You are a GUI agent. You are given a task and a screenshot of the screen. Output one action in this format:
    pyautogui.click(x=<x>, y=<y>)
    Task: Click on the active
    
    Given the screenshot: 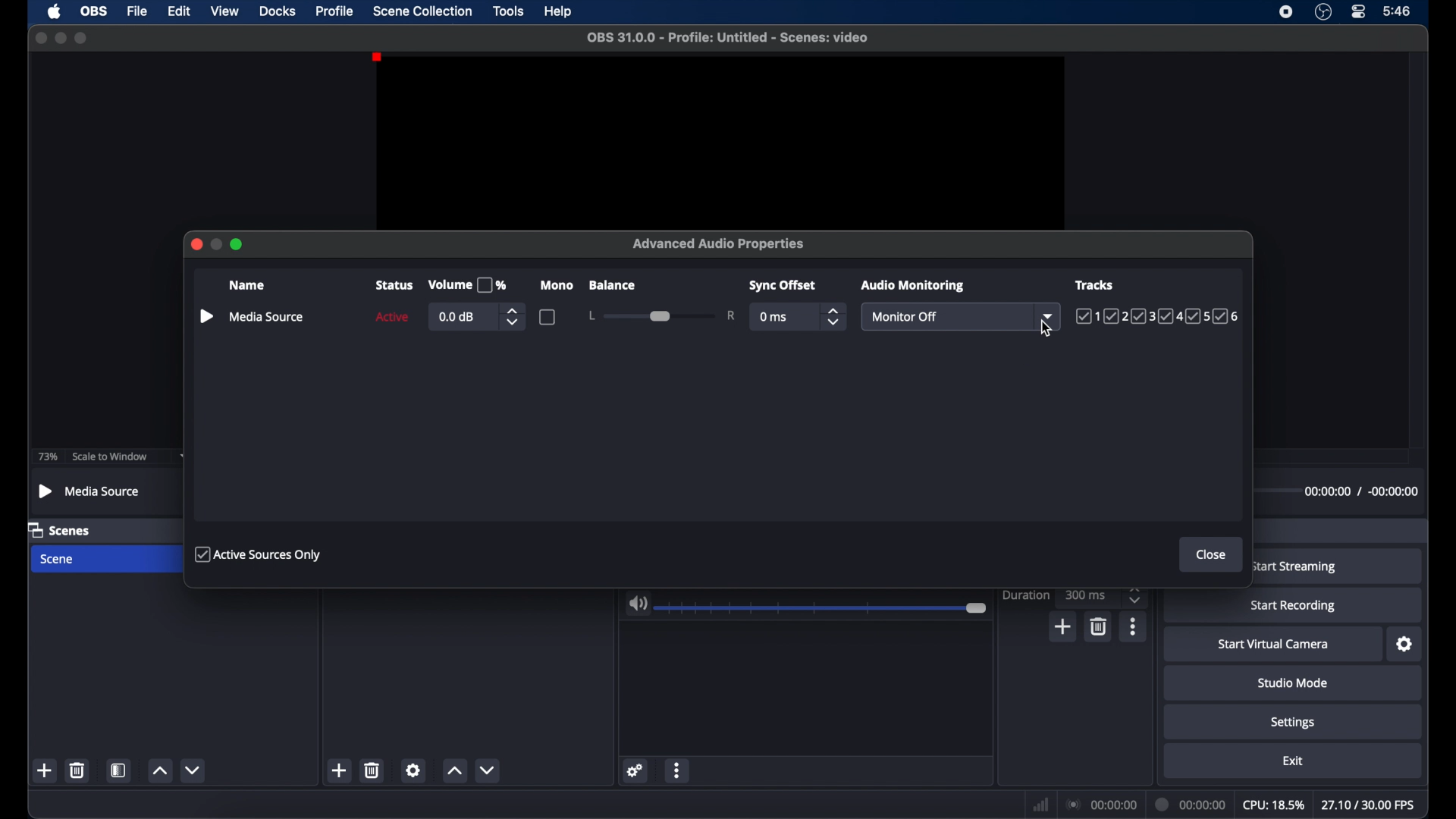 What is the action you would take?
    pyautogui.click(x=391, y=317)
    